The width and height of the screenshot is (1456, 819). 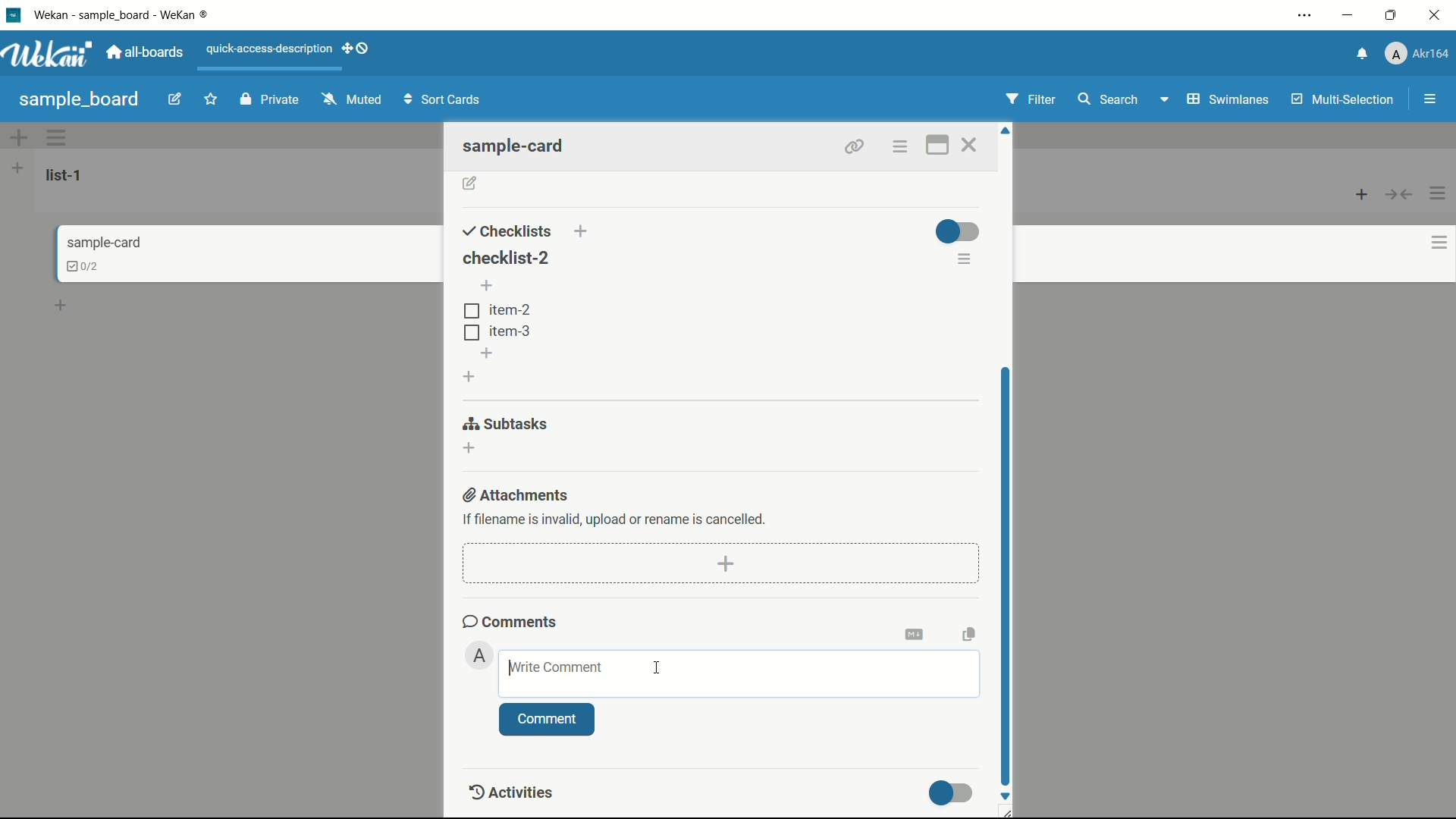 I want to click on app name, so click(x=131, y=14).